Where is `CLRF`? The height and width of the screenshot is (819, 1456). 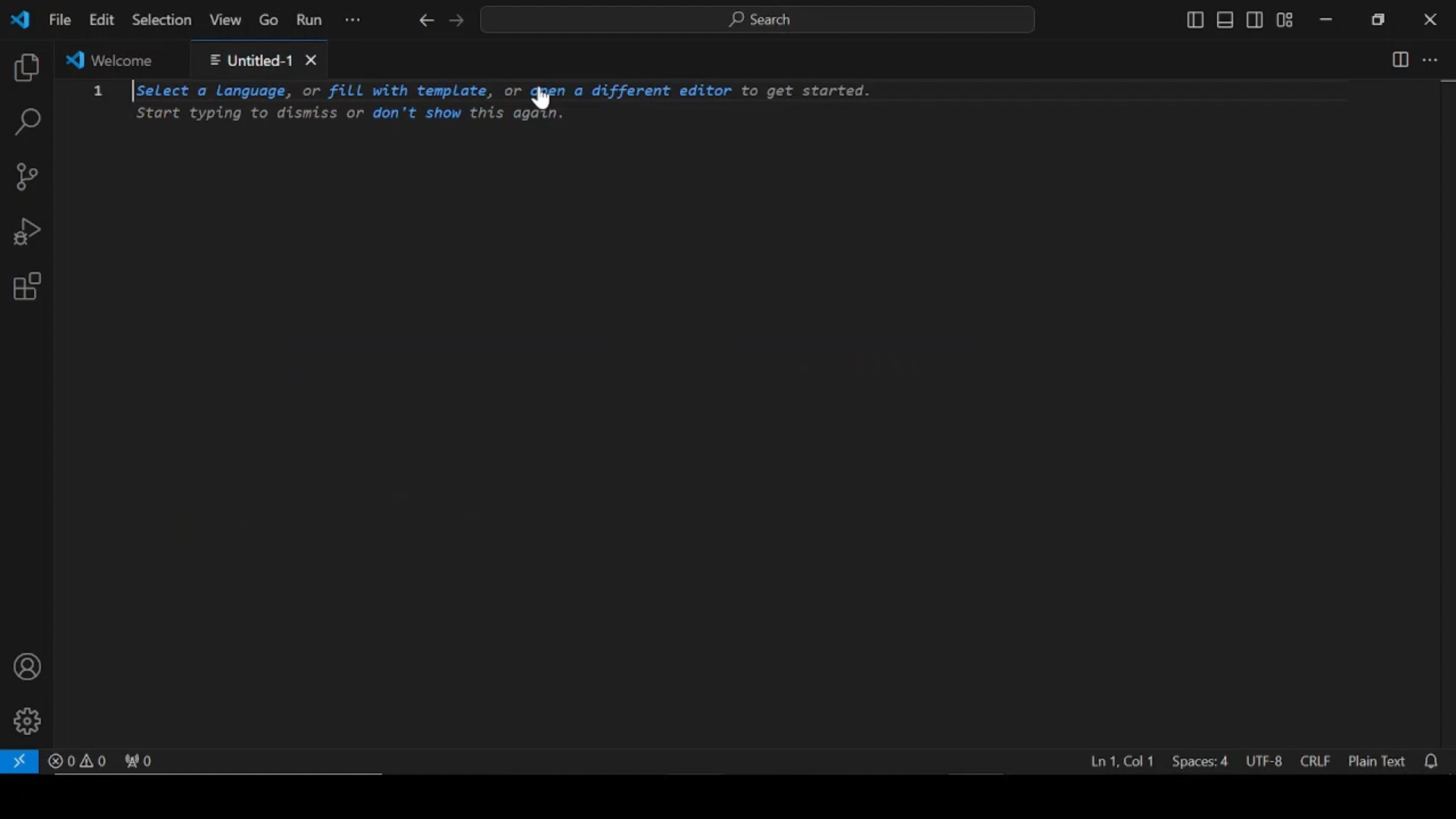 CLRF is located at coordinates (1316, 763).